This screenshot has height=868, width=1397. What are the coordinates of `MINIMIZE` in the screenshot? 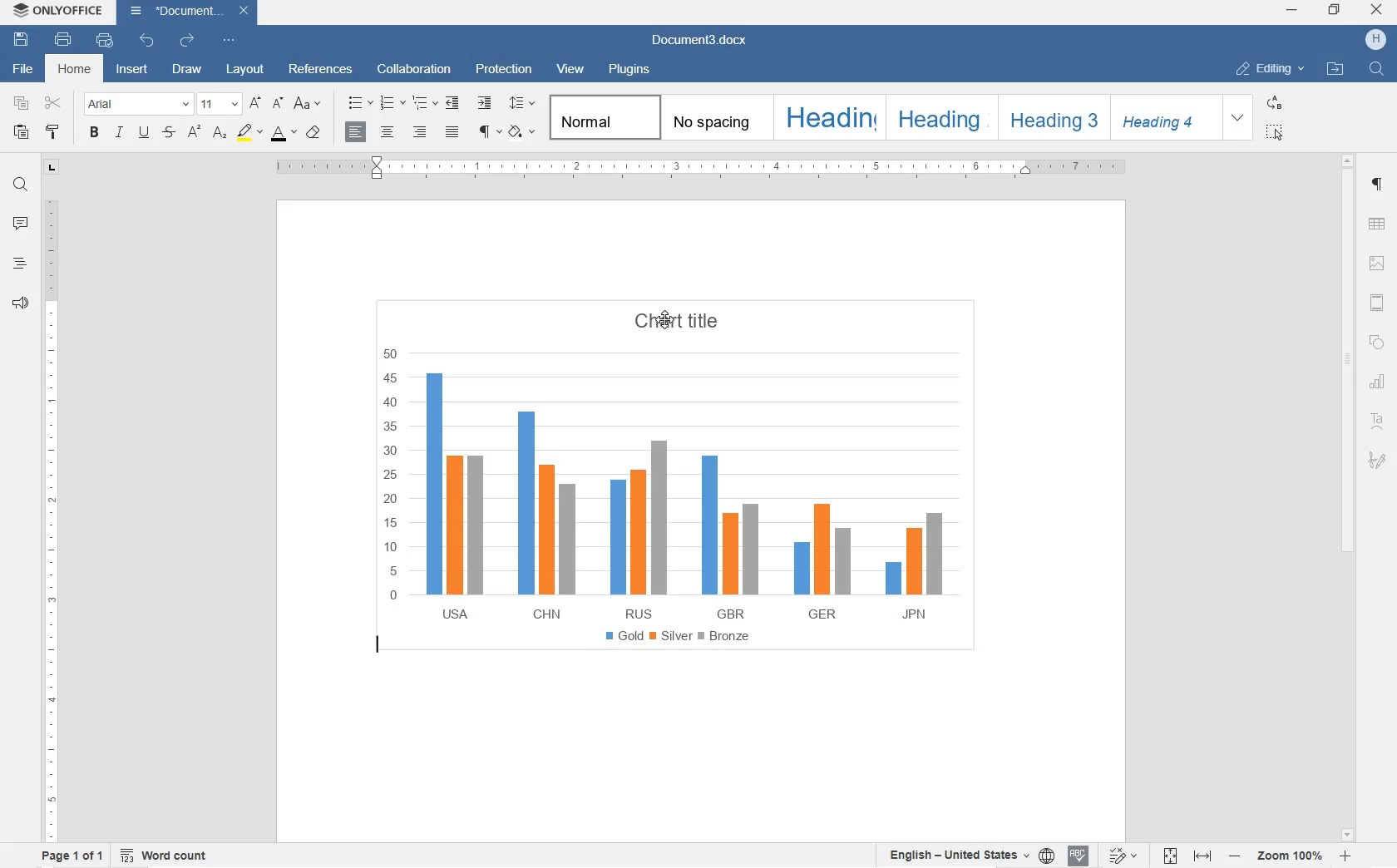 It's located at (1293, 11).